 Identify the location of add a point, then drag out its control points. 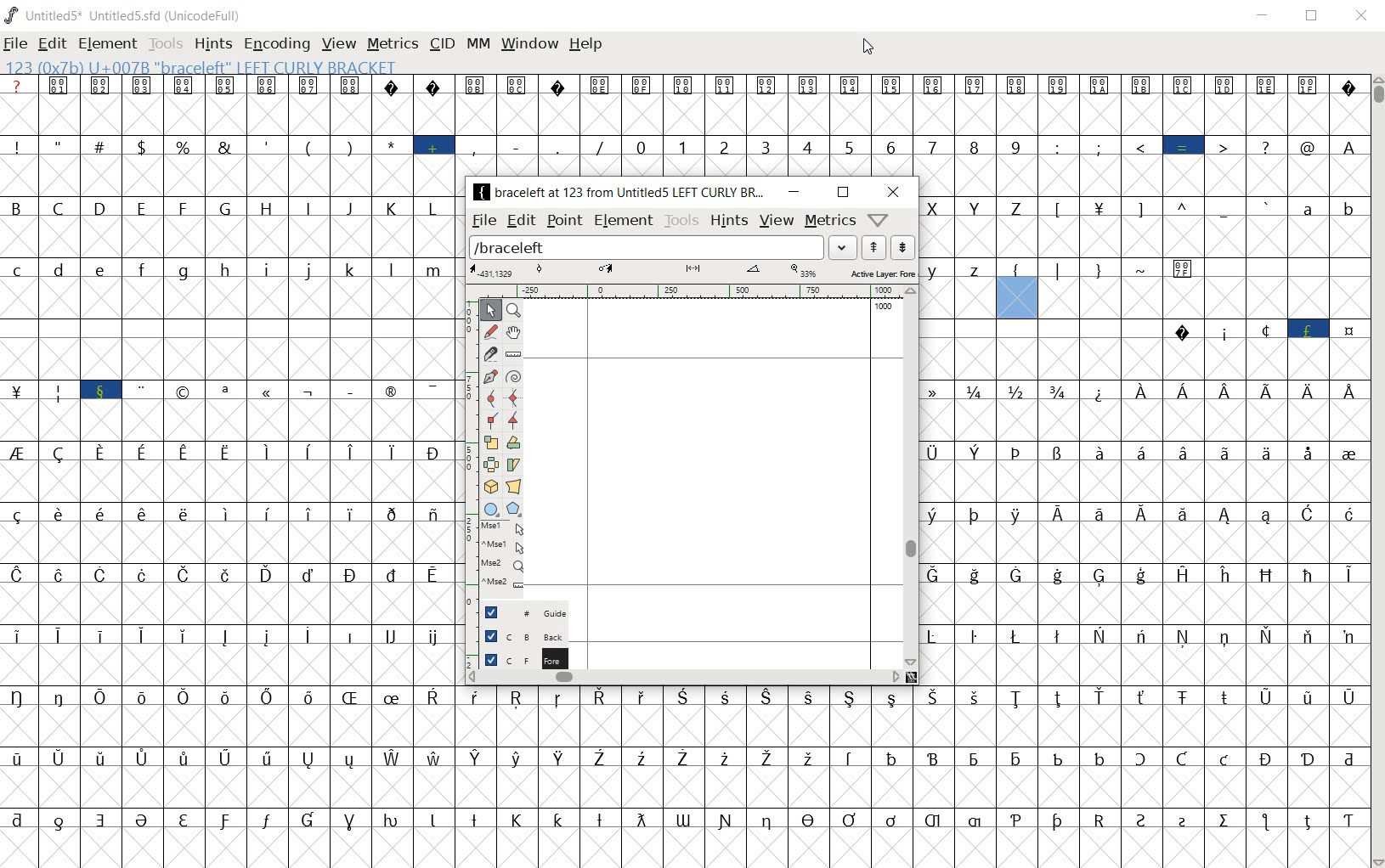
(487, 376).